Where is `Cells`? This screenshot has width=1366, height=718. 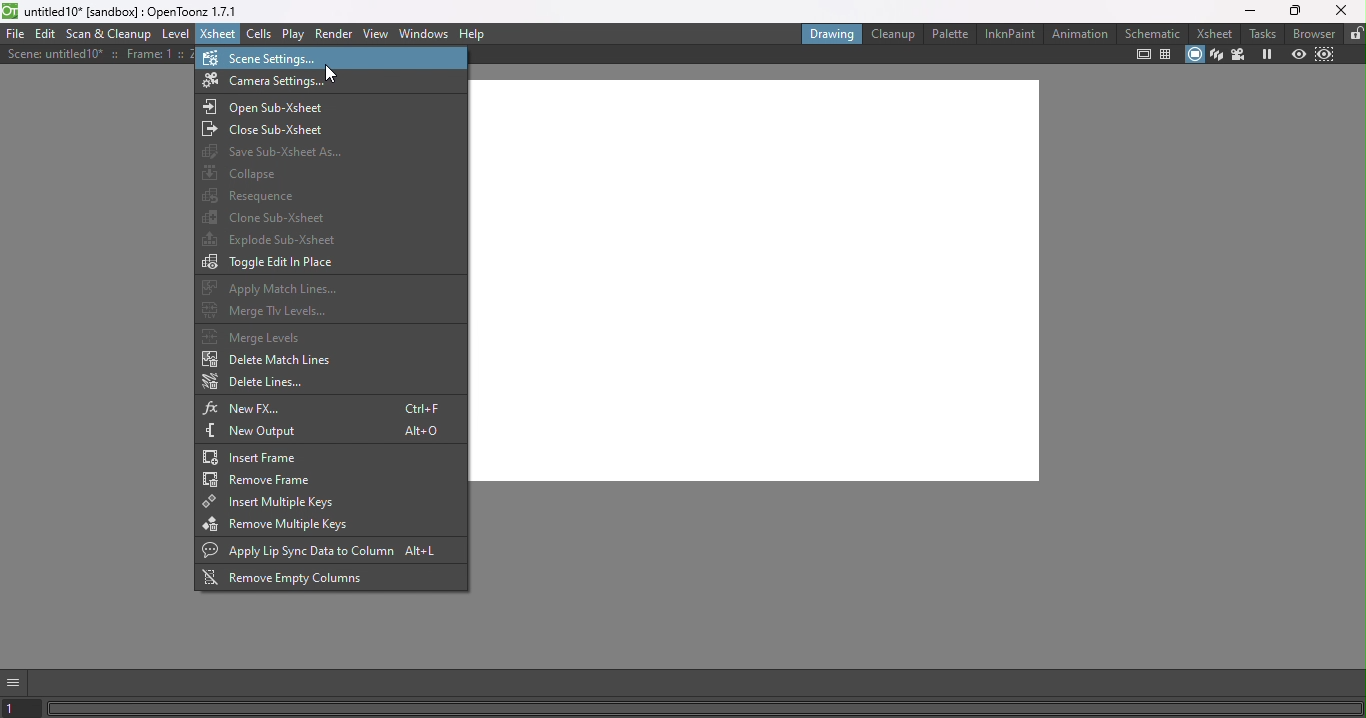
Cells is located at coordinates (260, 34).